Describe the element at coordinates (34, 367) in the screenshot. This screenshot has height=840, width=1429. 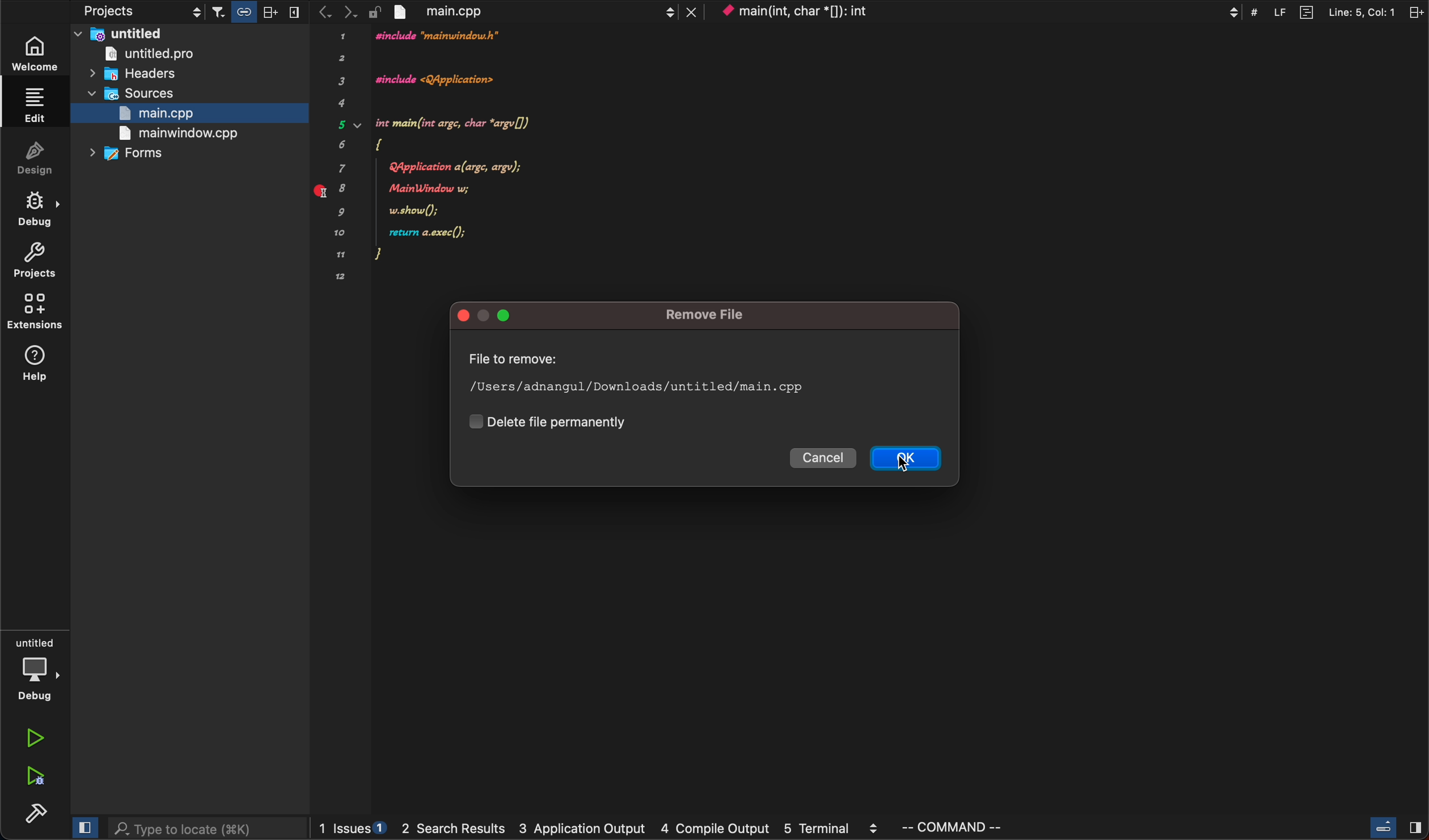
I see `help` at that location.